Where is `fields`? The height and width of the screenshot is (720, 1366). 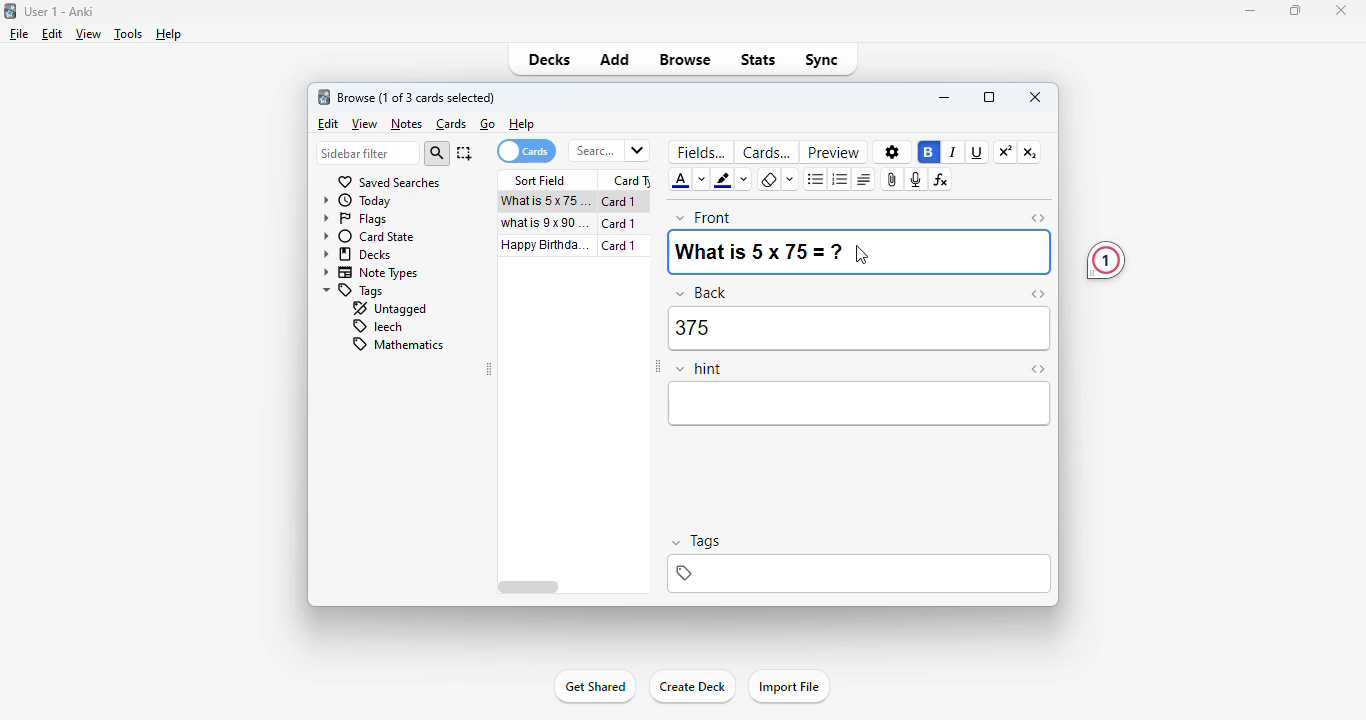
fields is located at coordinates (701, 152).